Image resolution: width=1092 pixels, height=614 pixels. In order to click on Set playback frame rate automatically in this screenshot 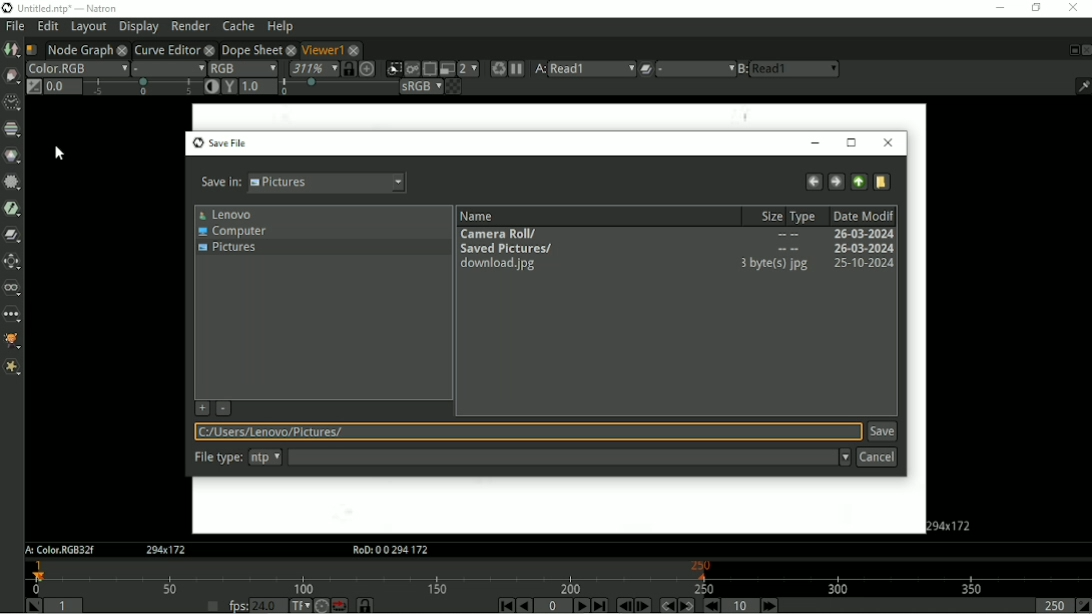, I will do `click(213, 606)`.